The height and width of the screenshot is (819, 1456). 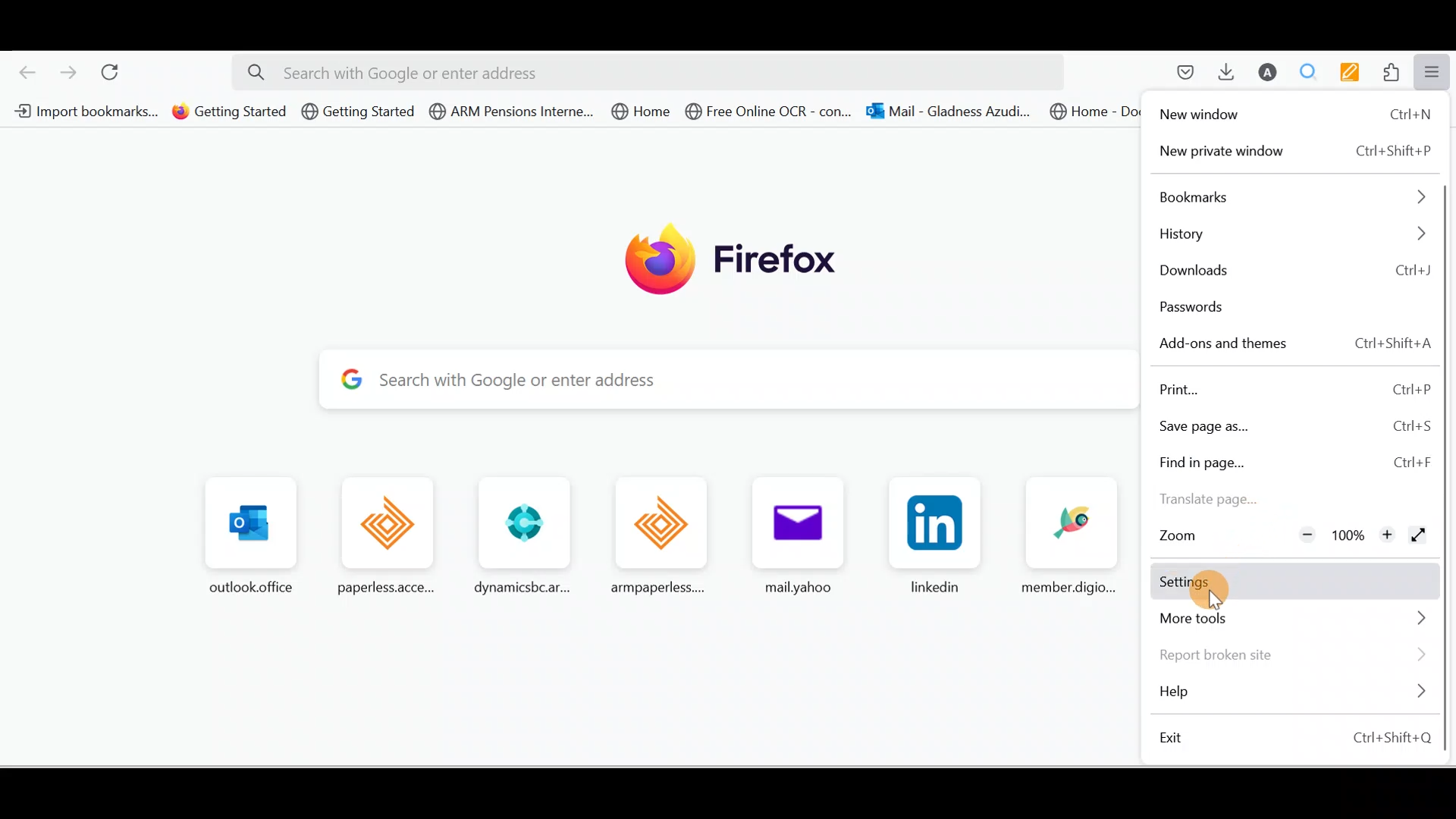 I want to click on Frequently browsed page, so click(x=1068, y=536).